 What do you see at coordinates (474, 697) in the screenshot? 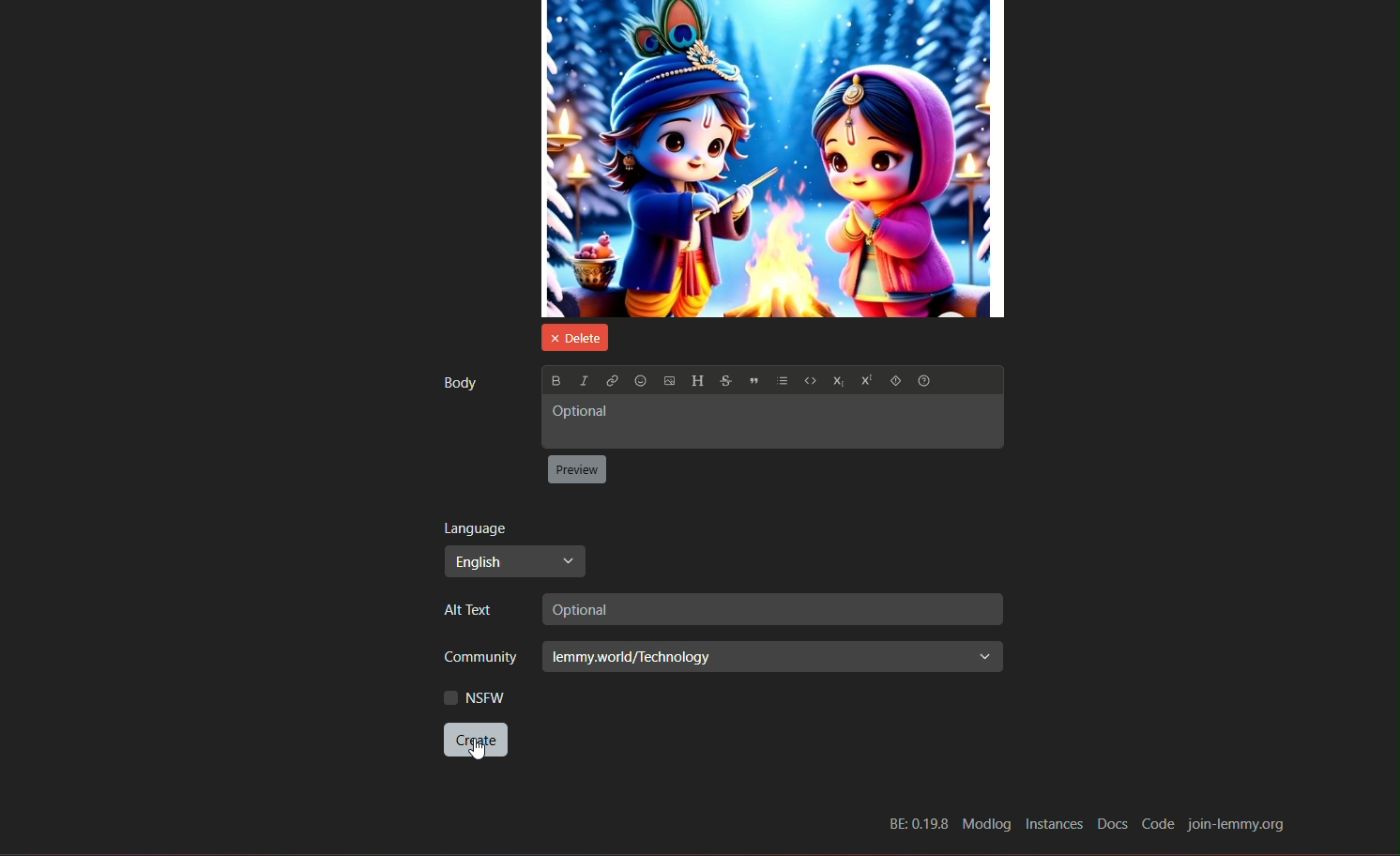
I see `NSFW` at bounding box center [474, 697].